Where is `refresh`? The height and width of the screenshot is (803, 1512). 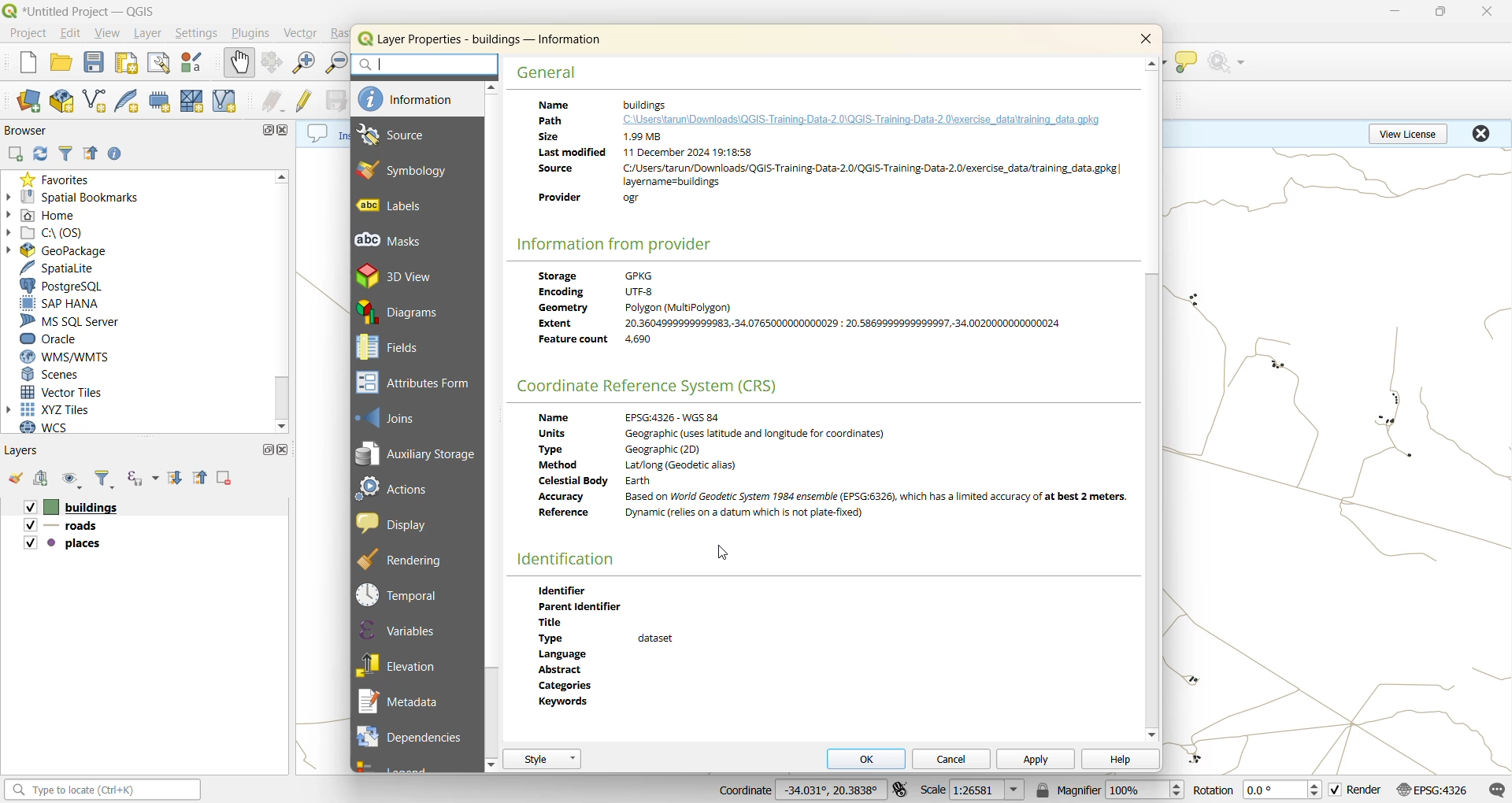
refresh is located at coordinates (46, 154).